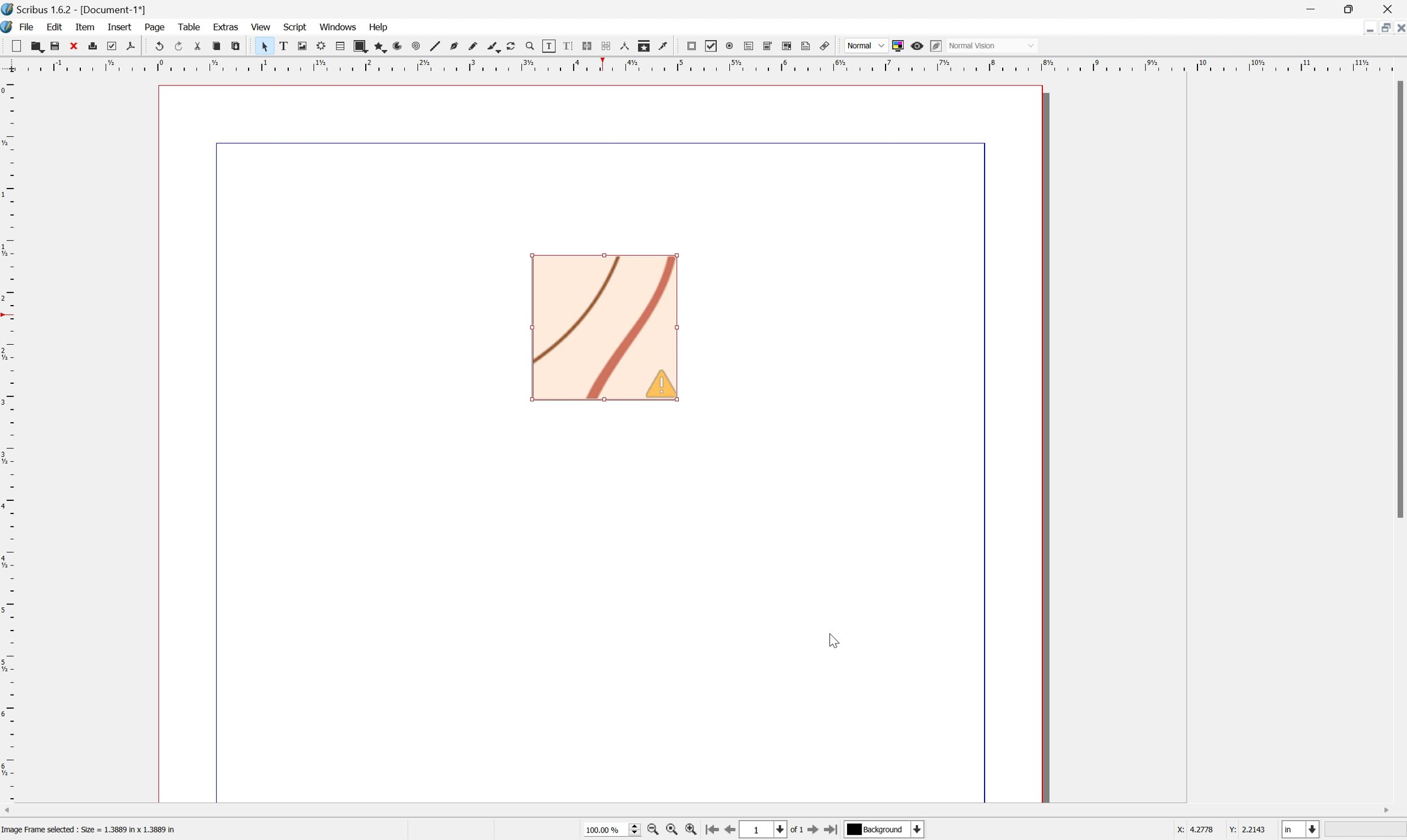 The height and width of the screenshot is (840, 1407). Describe the element at coordinates (337, 25) in the screenshot. I see `Windows` at that location.